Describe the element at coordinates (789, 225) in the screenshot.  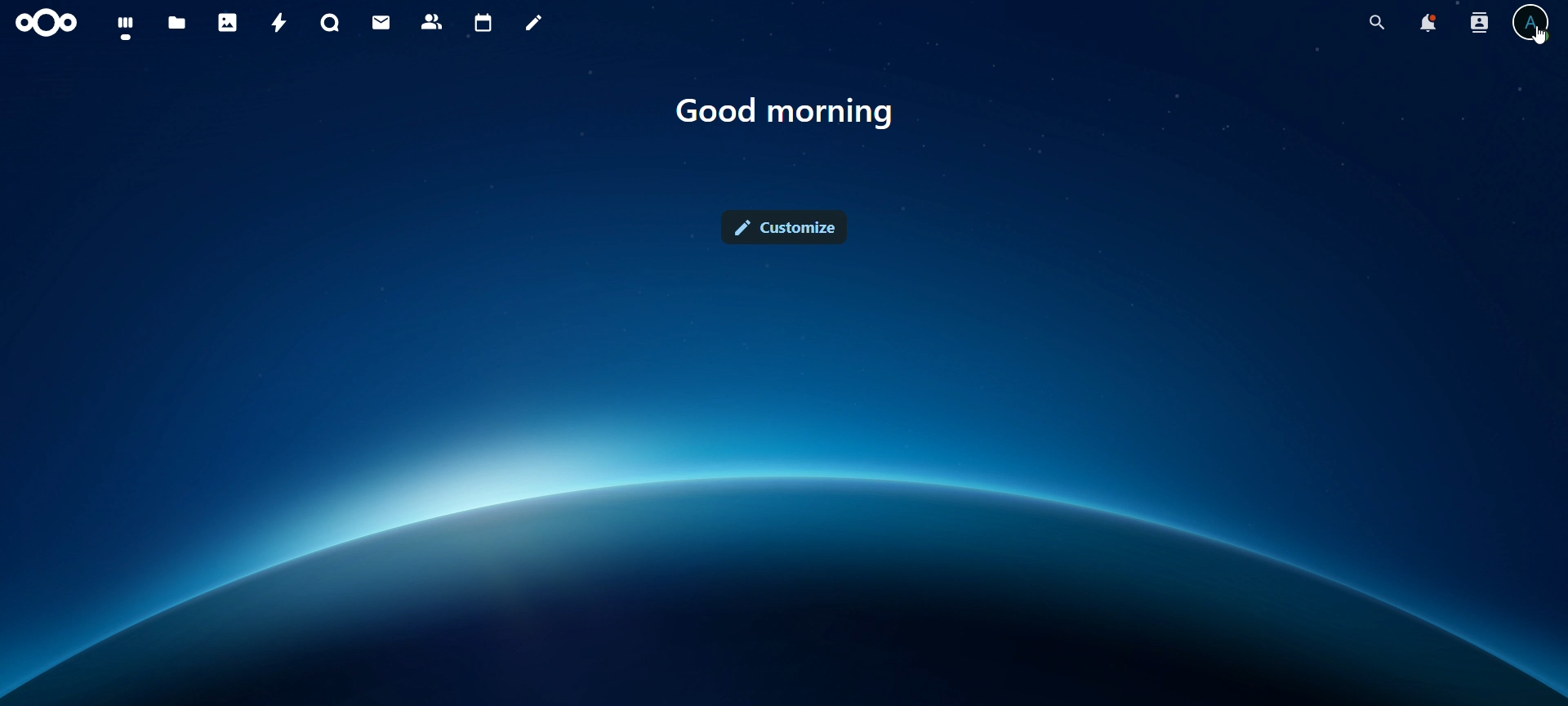
I see `customize` at that location.